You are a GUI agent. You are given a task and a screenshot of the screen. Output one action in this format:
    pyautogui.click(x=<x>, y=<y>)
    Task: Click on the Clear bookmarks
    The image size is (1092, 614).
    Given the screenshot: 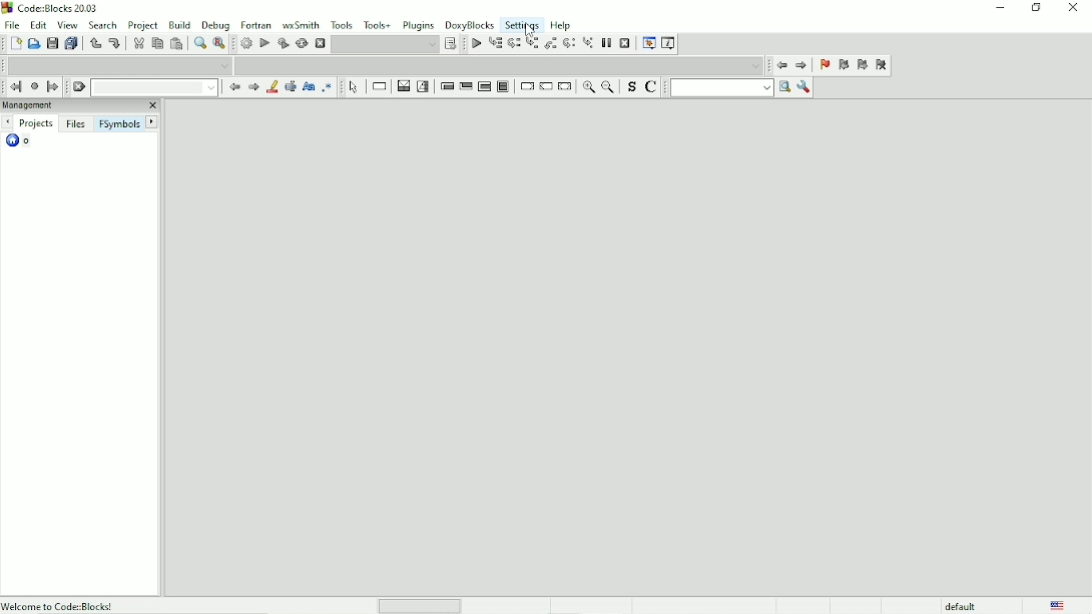 What is the action you would take?
    pyautogui.click(x=882, y=65)
    